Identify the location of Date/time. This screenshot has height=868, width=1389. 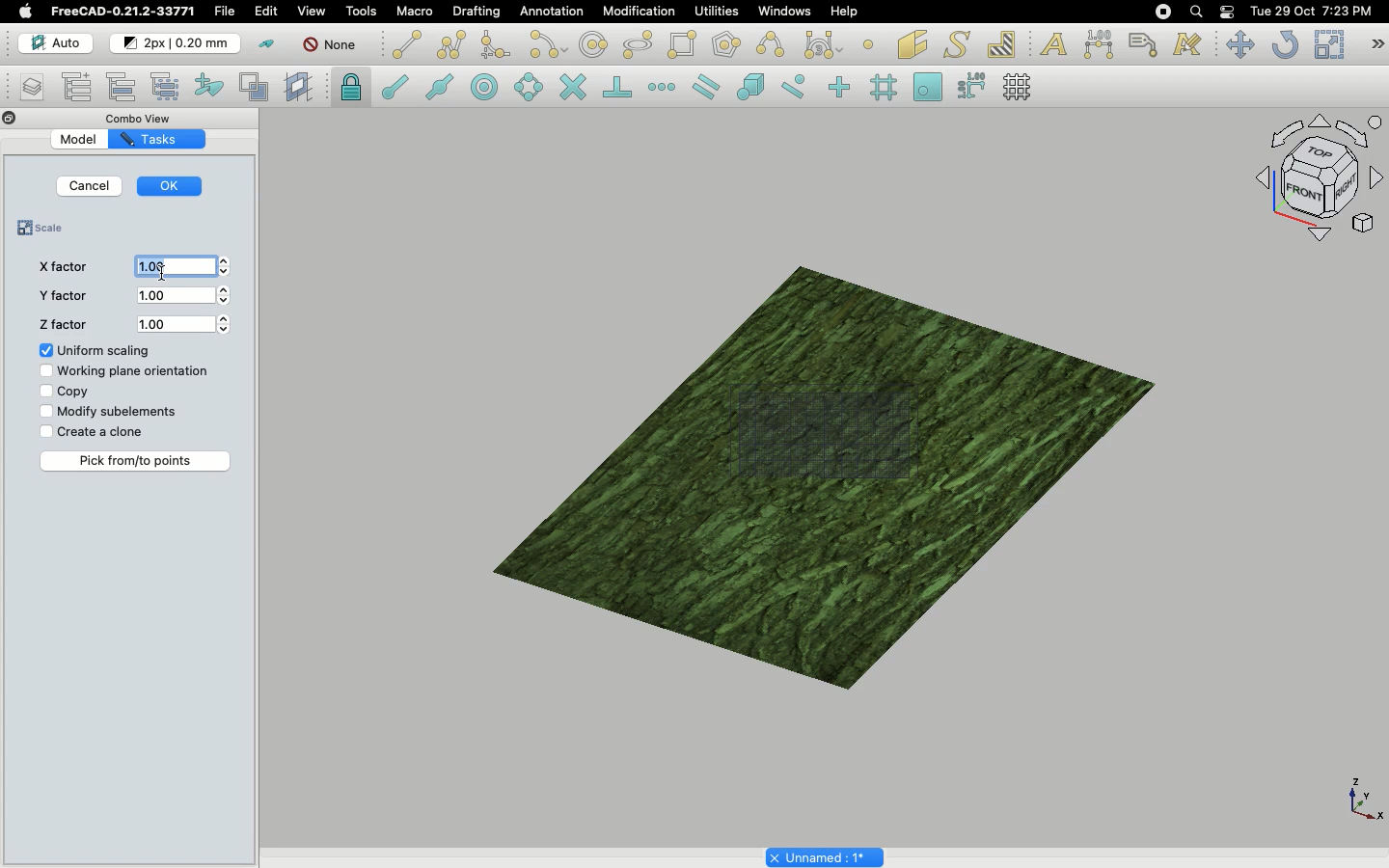
(1312, 12).